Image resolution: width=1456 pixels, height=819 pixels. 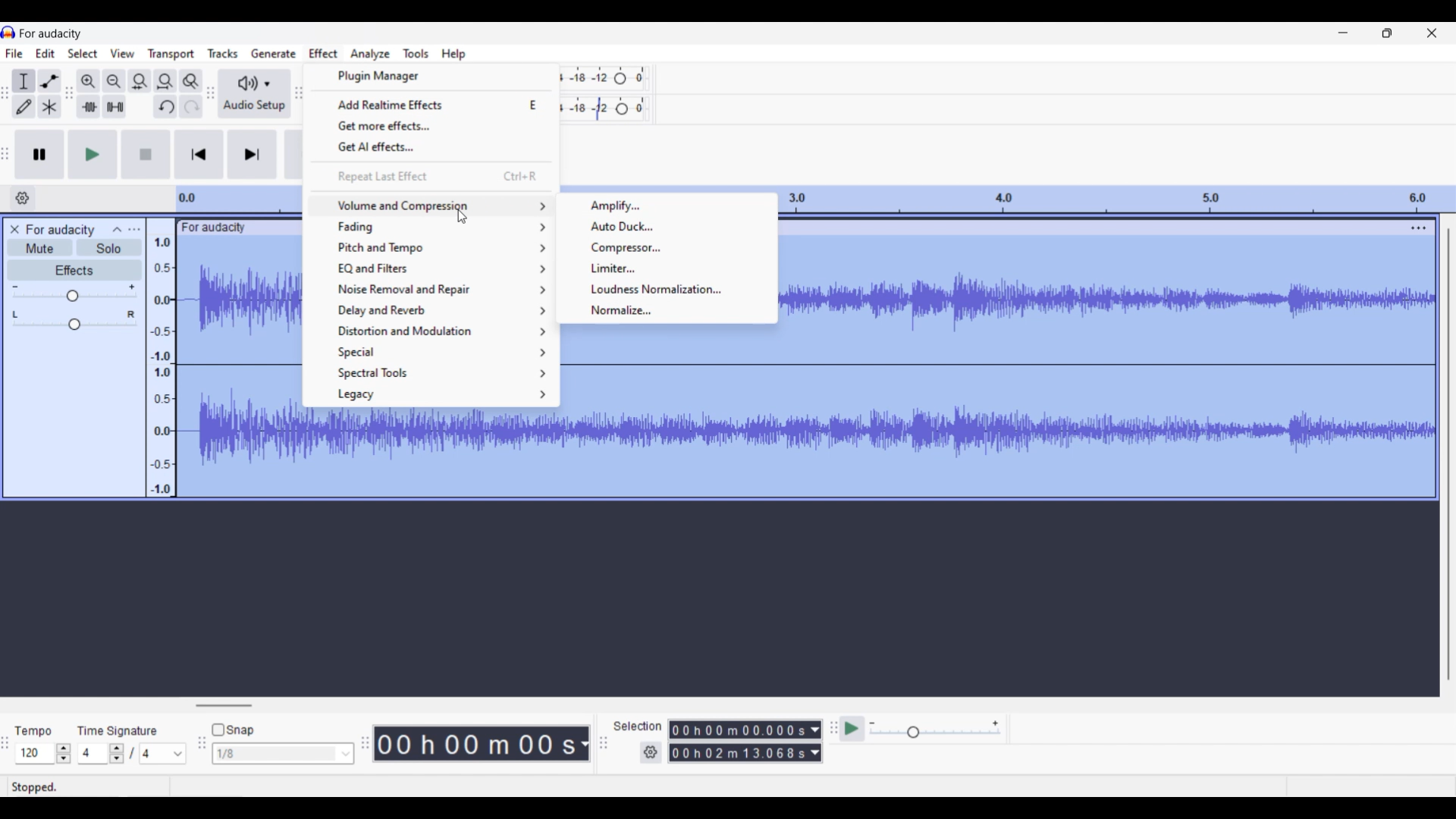 What do you see at coordinates (222, 53) in the screenshot?
I see `Tracks menu ` at bounding box center [222, 53].